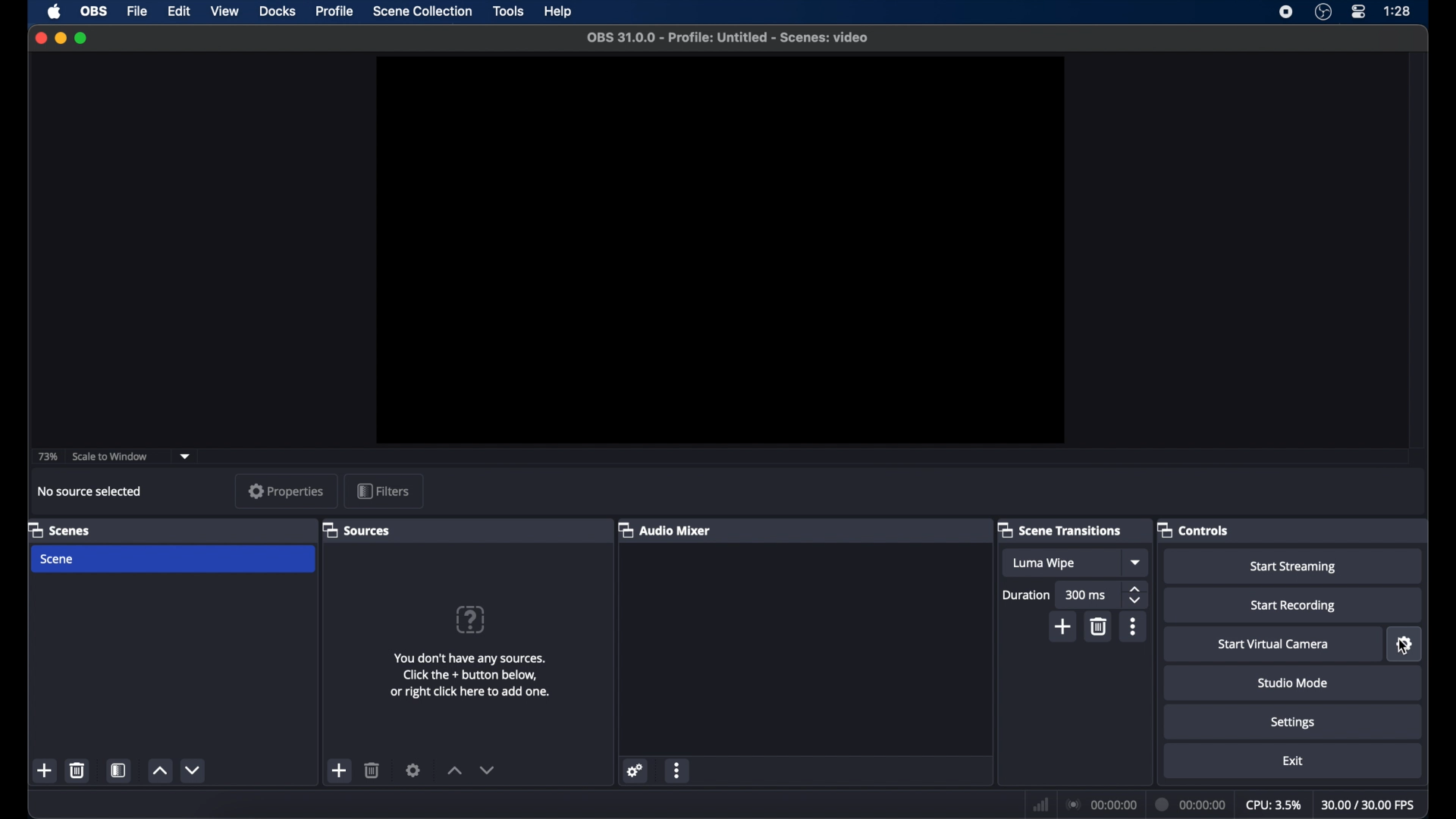 The width and height of the screenshot is (1456, 819). What do you see at coordinates (91, 491) in the screenshot?
I see `no source selected` at bounding box center [91, 491].